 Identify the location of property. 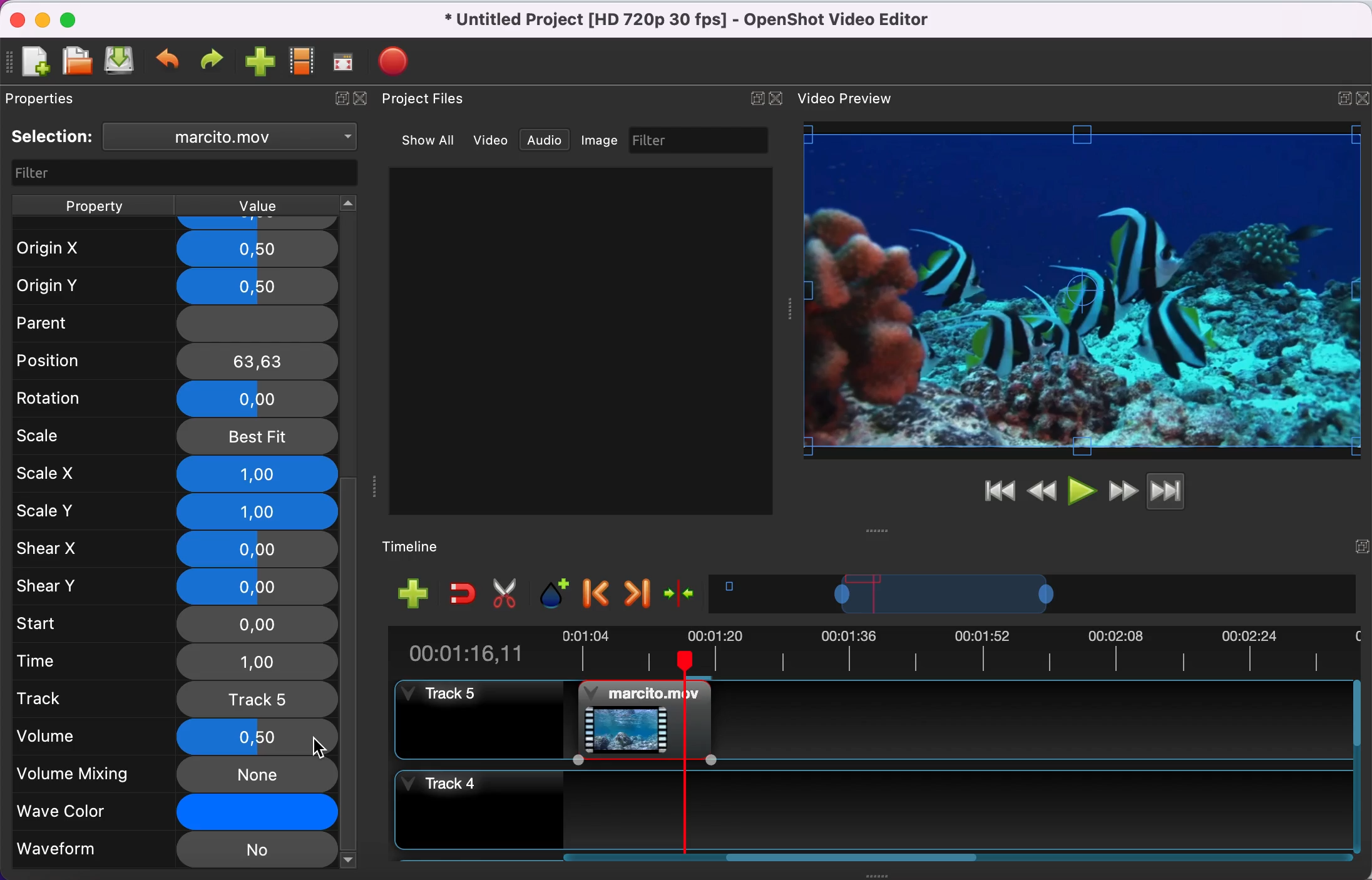
(95, 204).